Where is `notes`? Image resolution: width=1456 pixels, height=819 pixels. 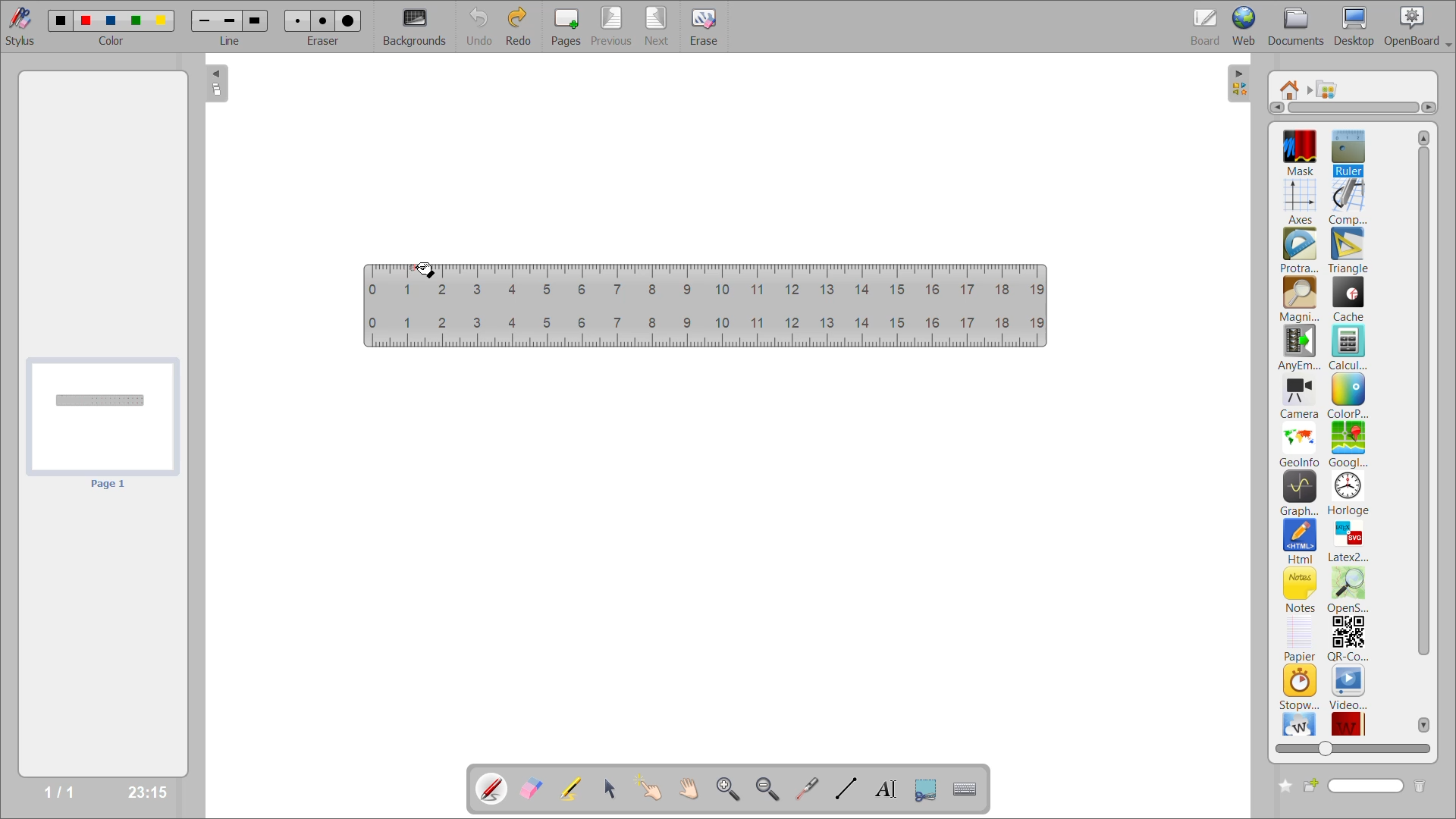
notes is located at coordinates (1301, 589).